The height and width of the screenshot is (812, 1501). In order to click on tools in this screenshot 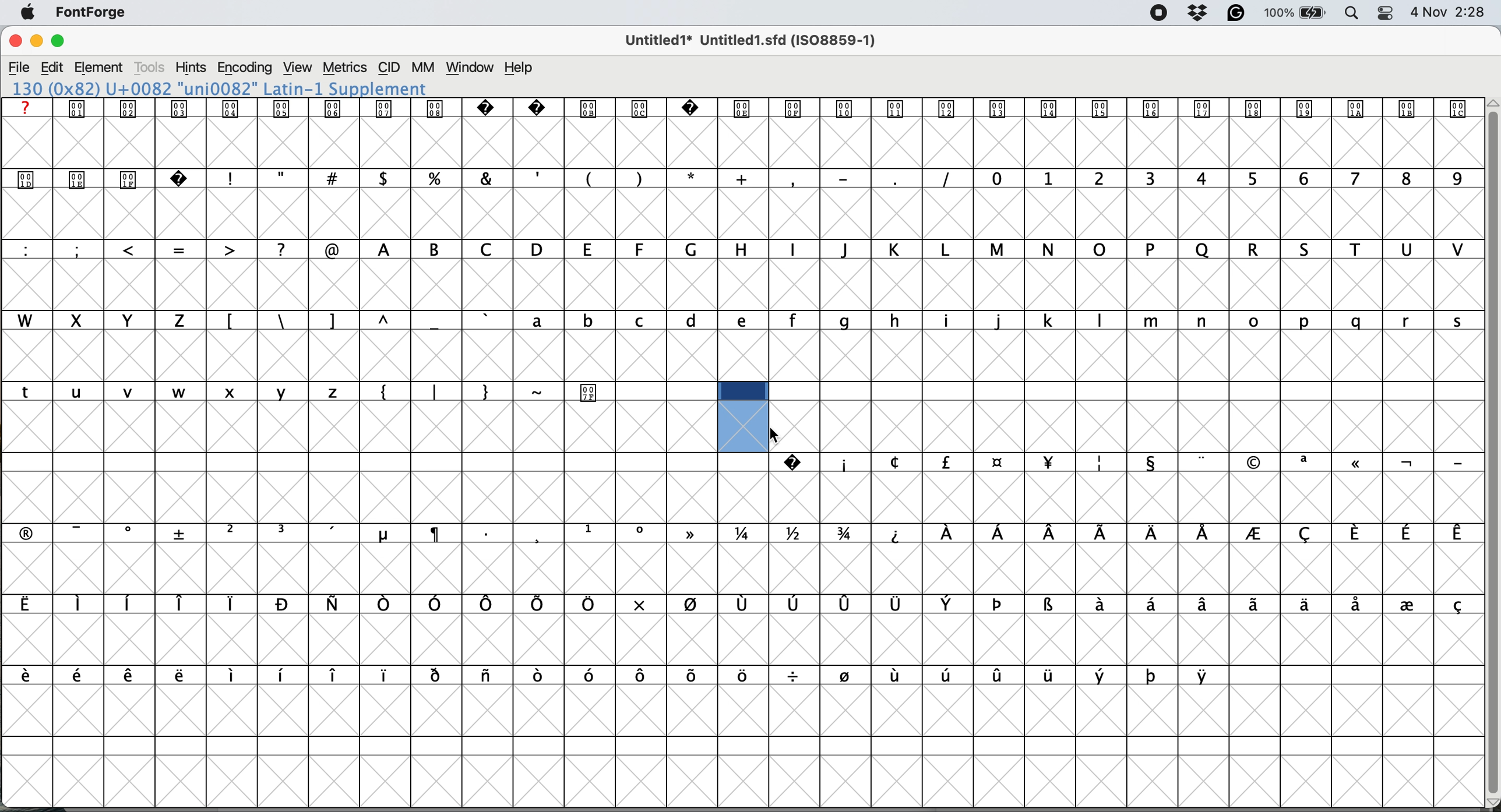, I will do `click(152, 68)`.